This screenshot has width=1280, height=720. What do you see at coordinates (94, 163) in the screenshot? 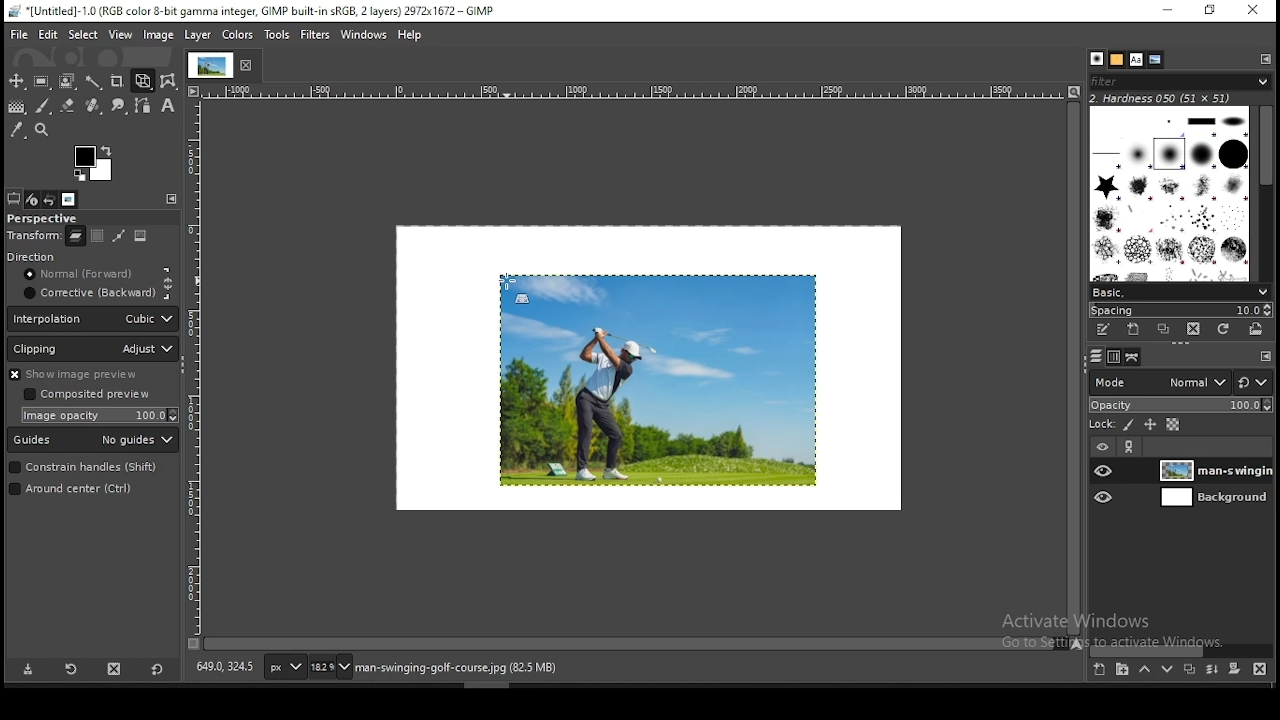
I see `colors` at bounding box center [94, 163].